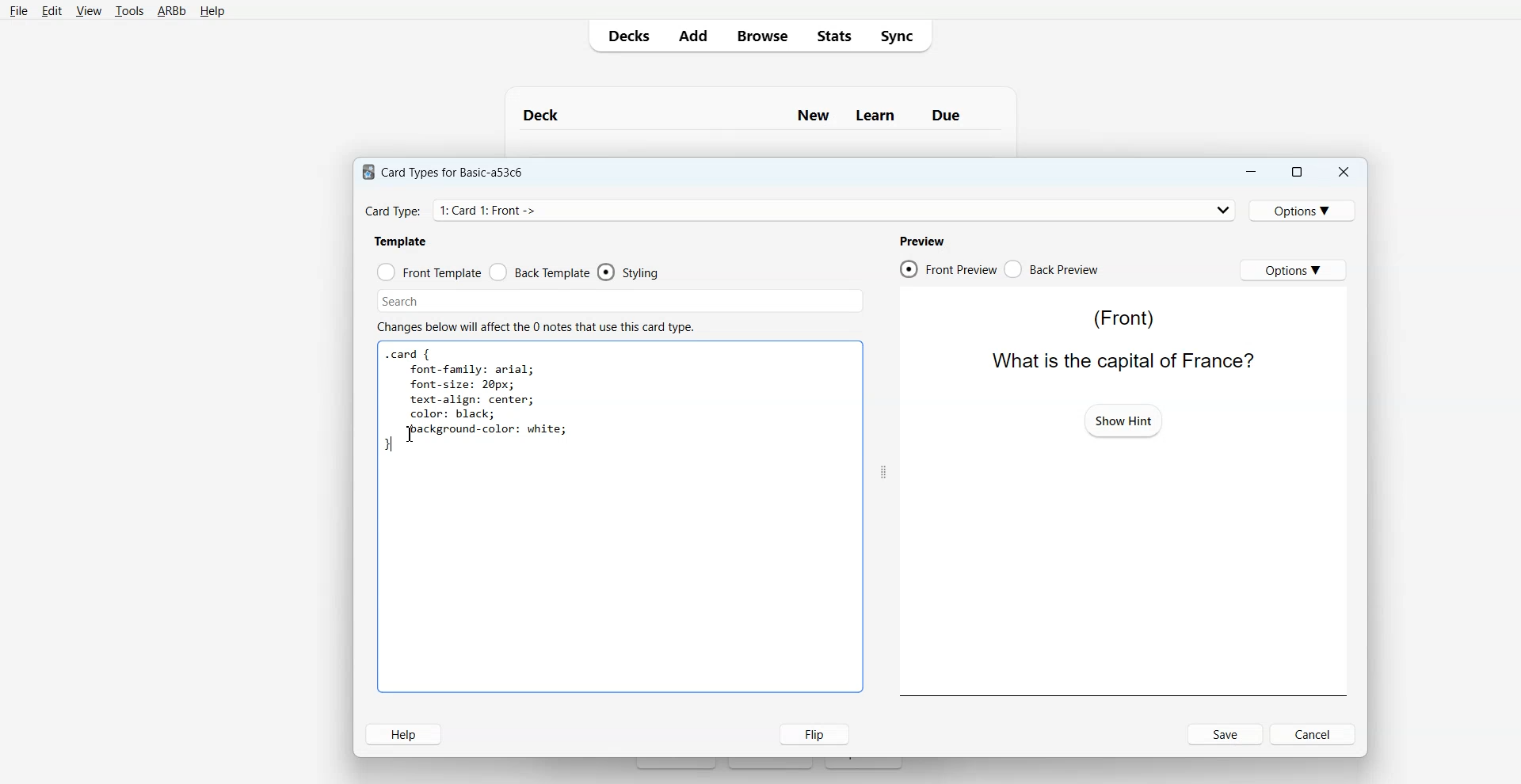 The height and width of the screenshot is (784, 1521). What do you see at coordinates (1118, 338) in the screenshot?
I see `(Front)
What is the capital of France?` at bounding box center [1118, 338].